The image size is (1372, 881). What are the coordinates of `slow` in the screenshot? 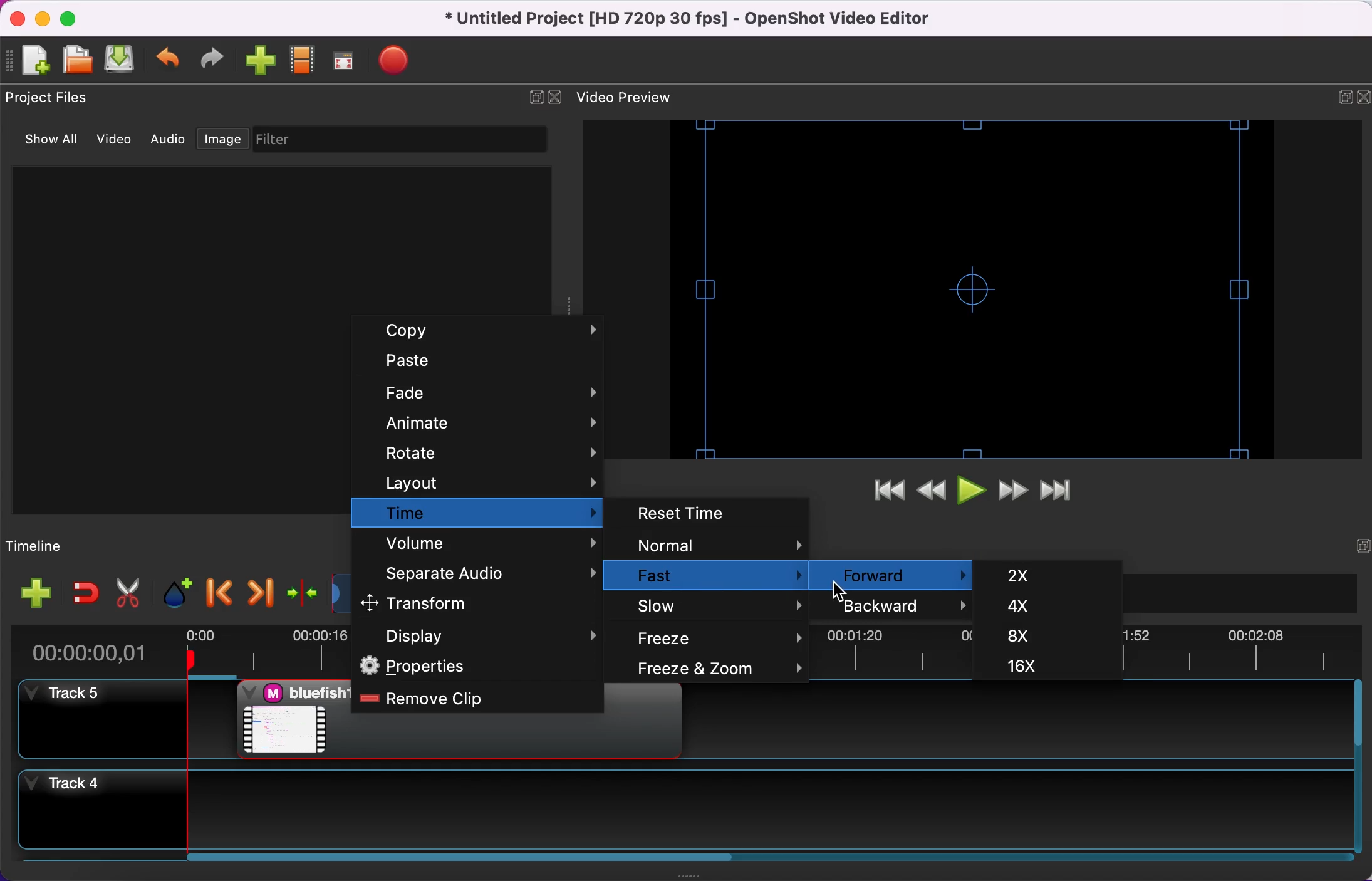 It's located at (720, 607).